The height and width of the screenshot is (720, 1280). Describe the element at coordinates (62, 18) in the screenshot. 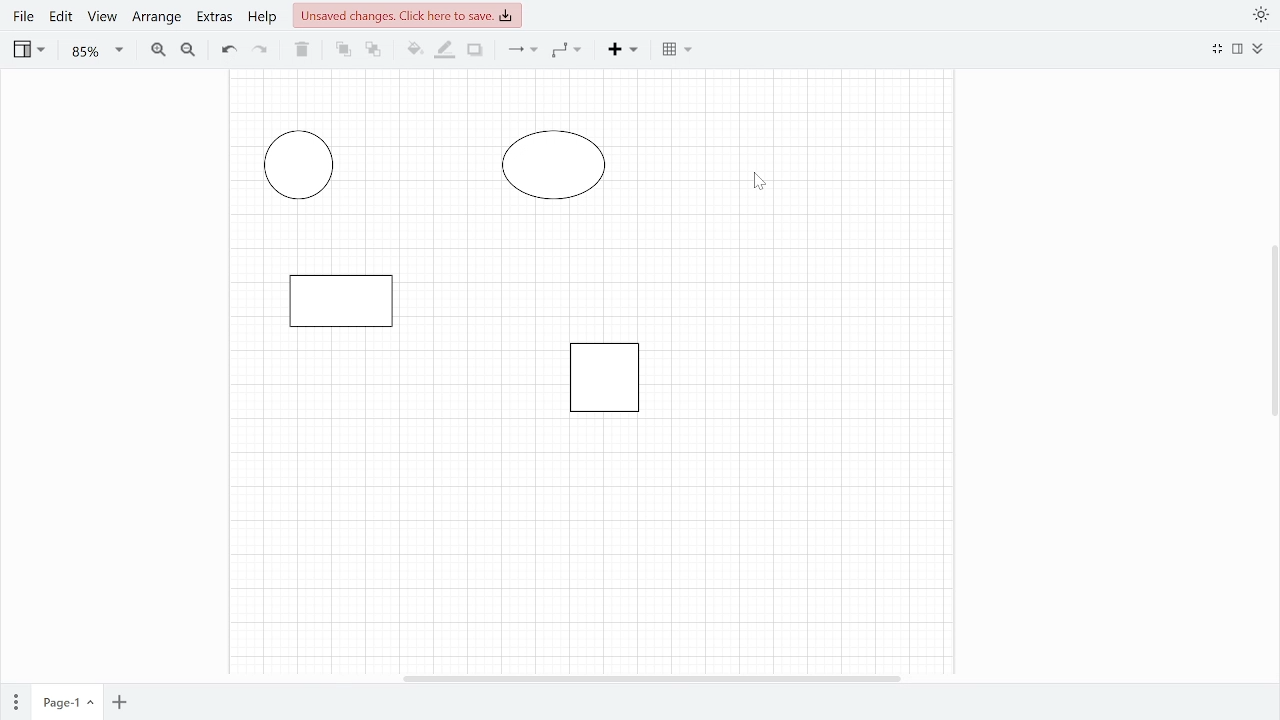

I see `Edit` at that location.